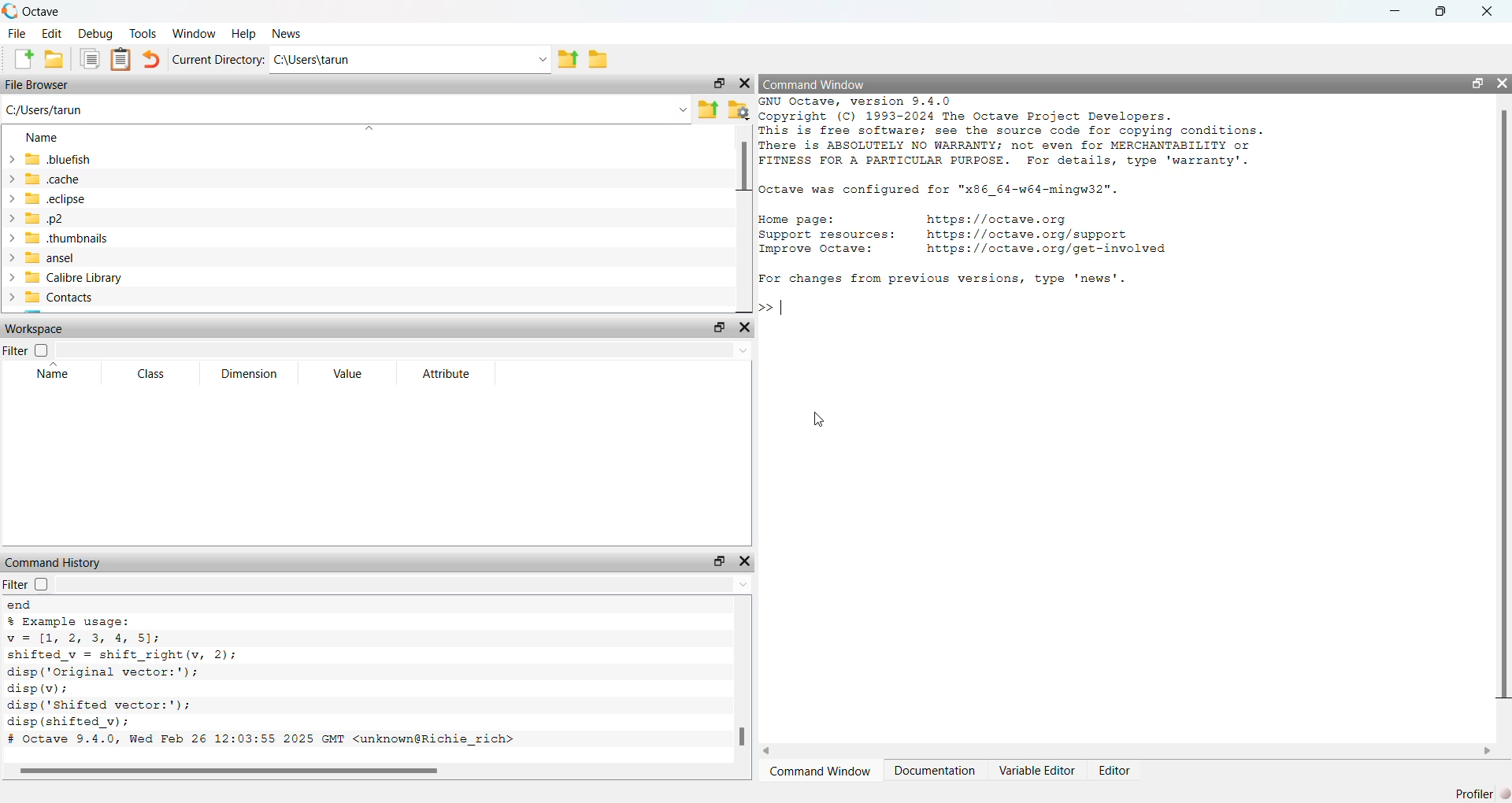  I want to click on .eclipse, so click(103, 199).